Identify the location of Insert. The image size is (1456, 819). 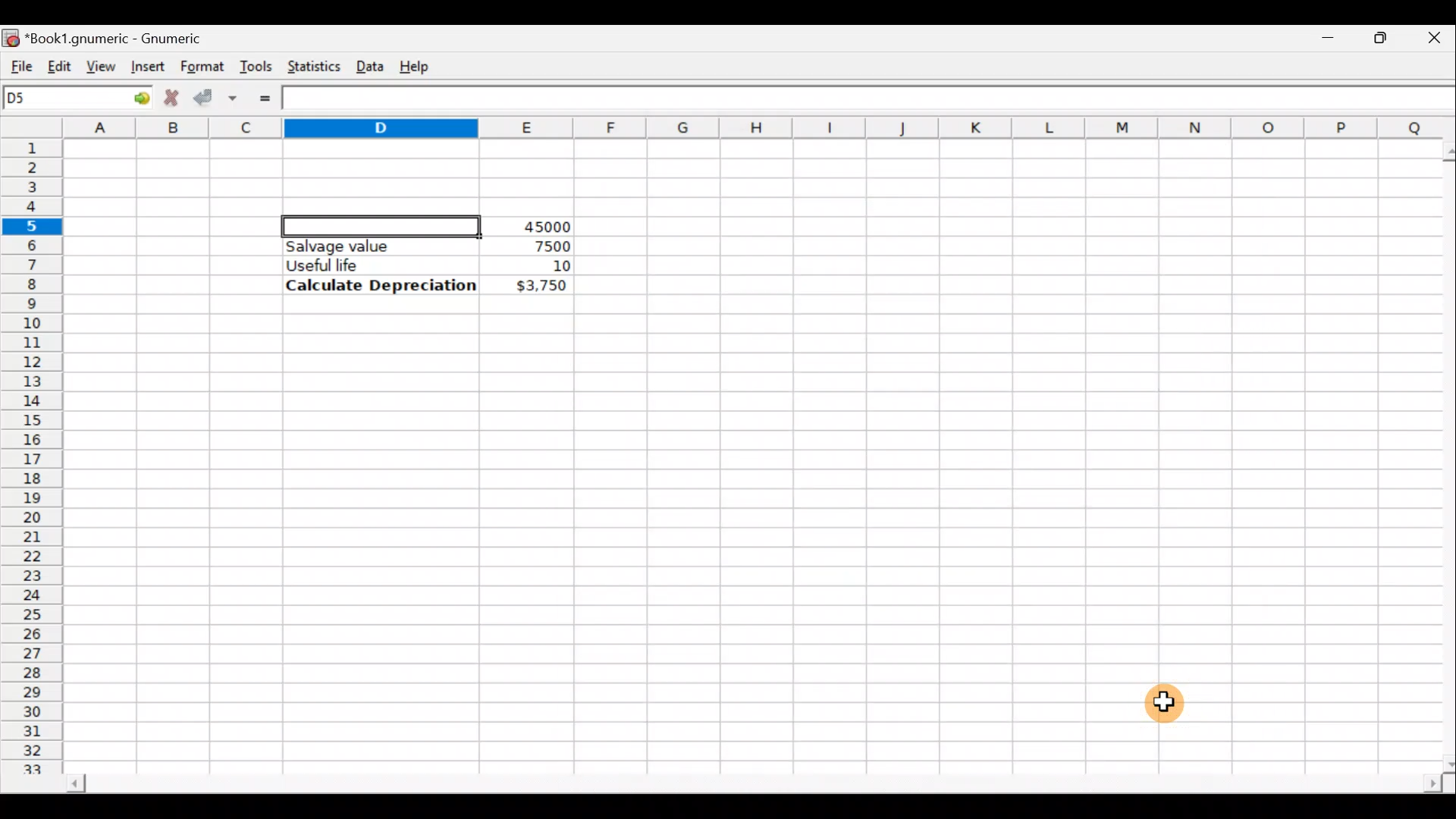
(146, 66).